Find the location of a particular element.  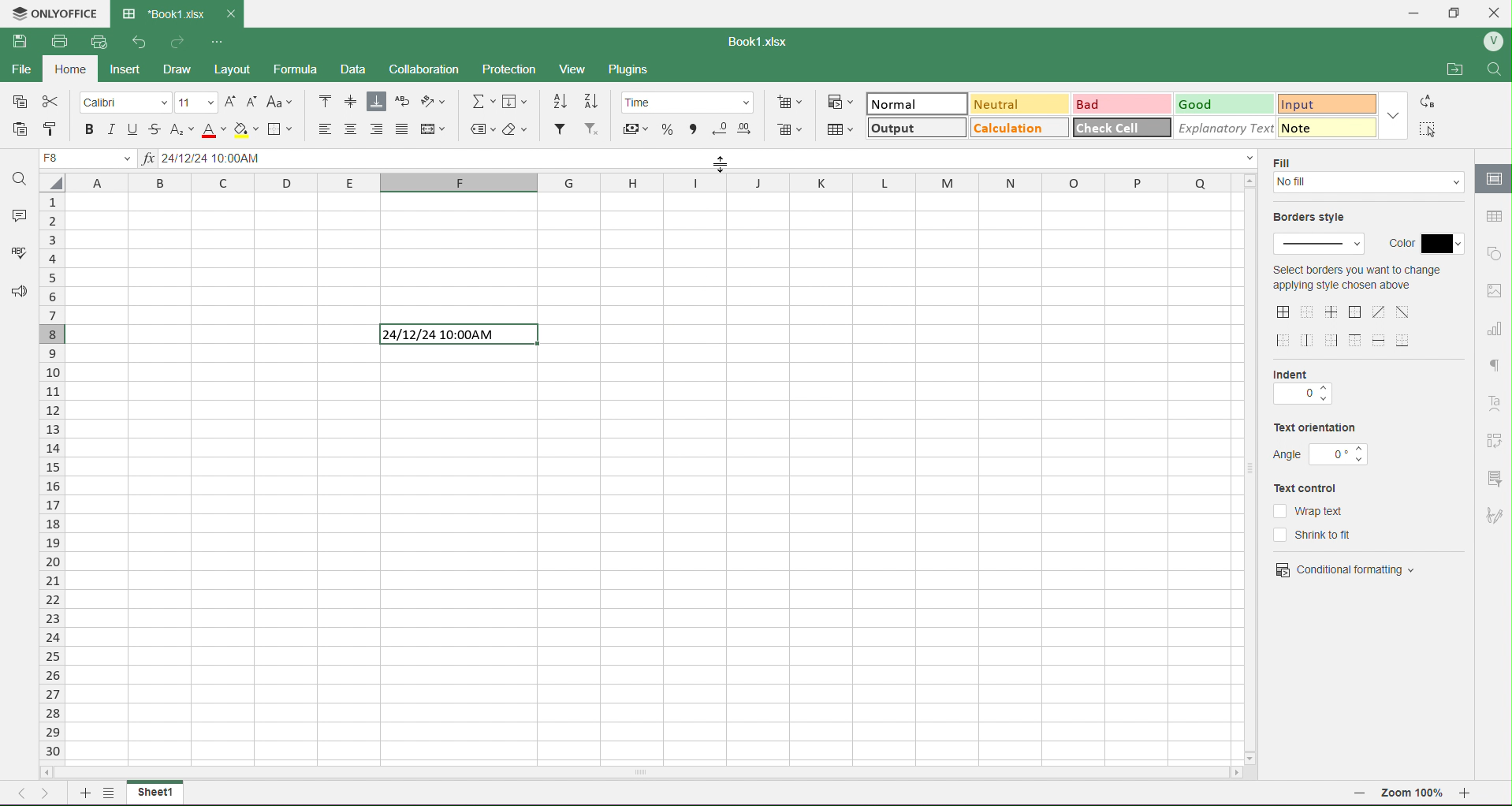

Spell Checking is located at coordinates (13, 254).